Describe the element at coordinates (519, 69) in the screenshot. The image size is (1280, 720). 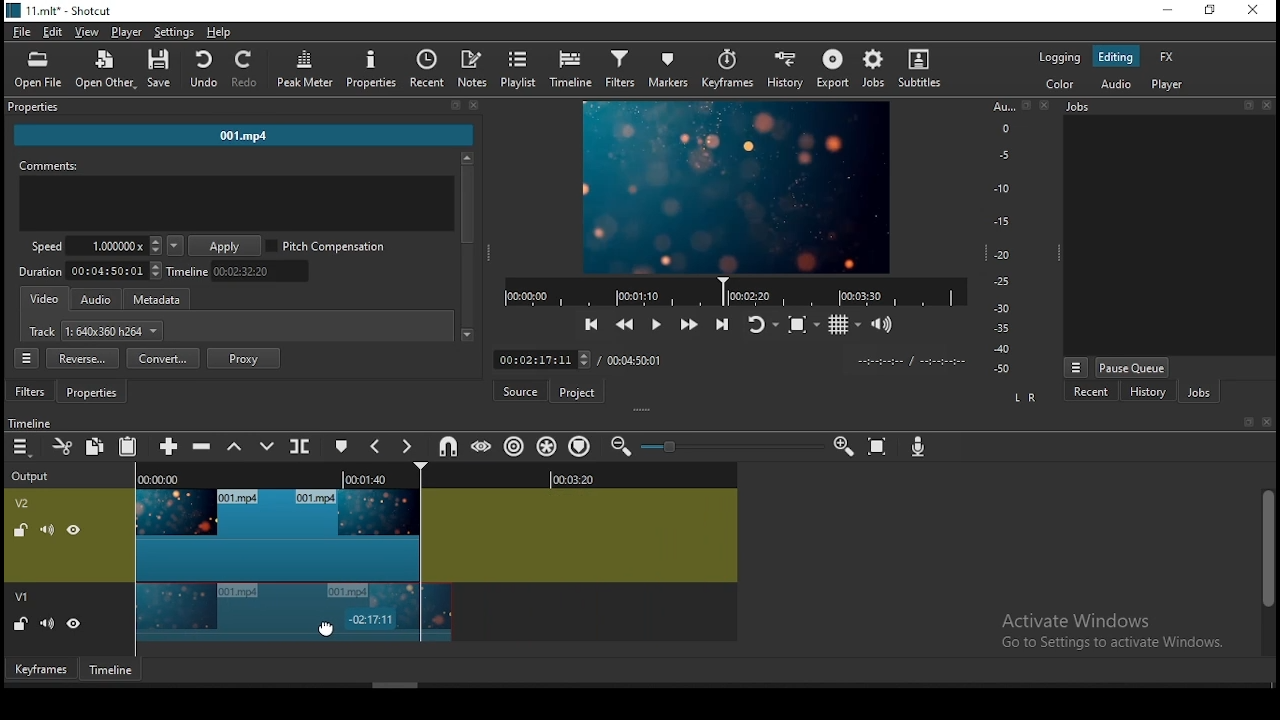
I see `playlist` at that location.